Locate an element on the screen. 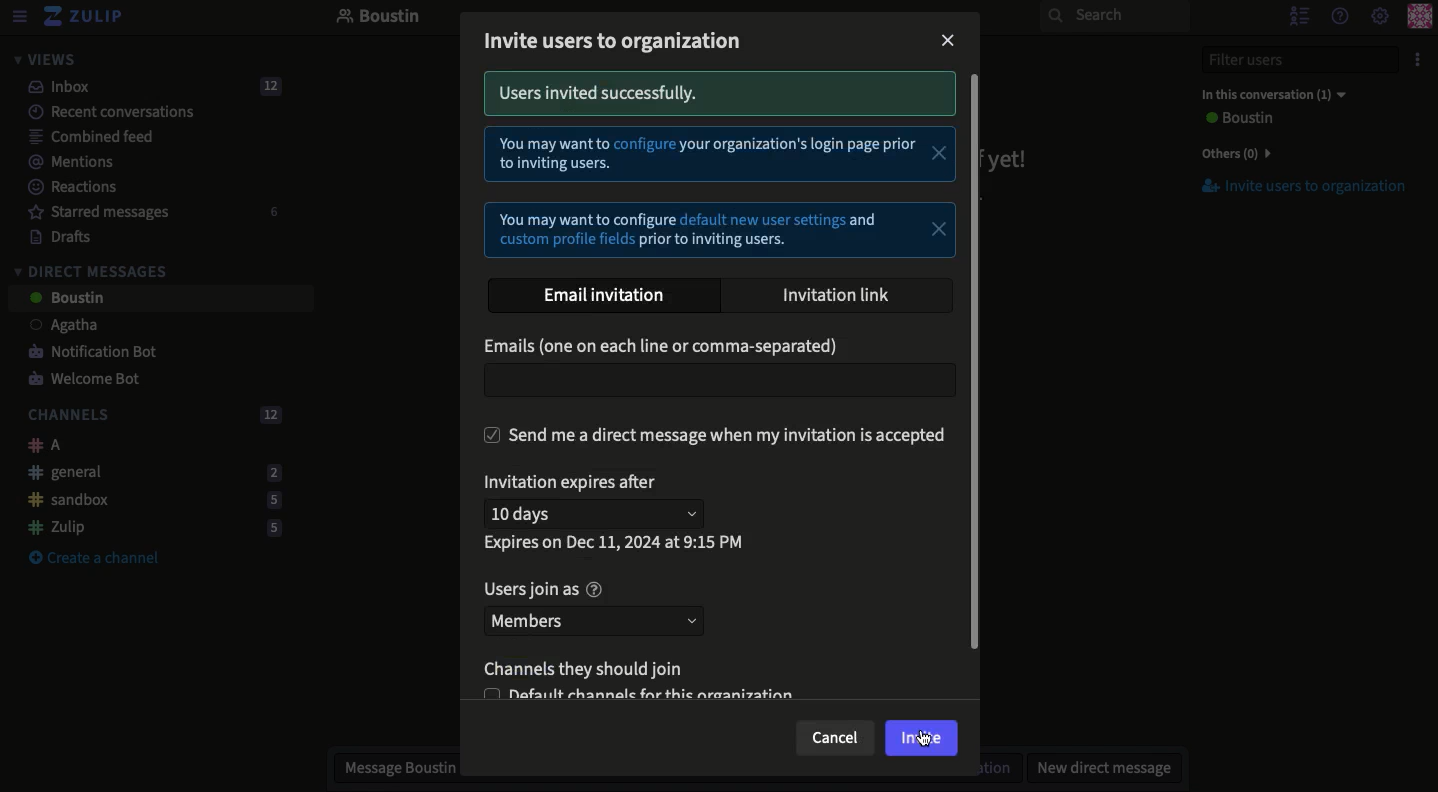 This screenshot has height=792, width=1438. Boustin is located at coordinates (379, 18).